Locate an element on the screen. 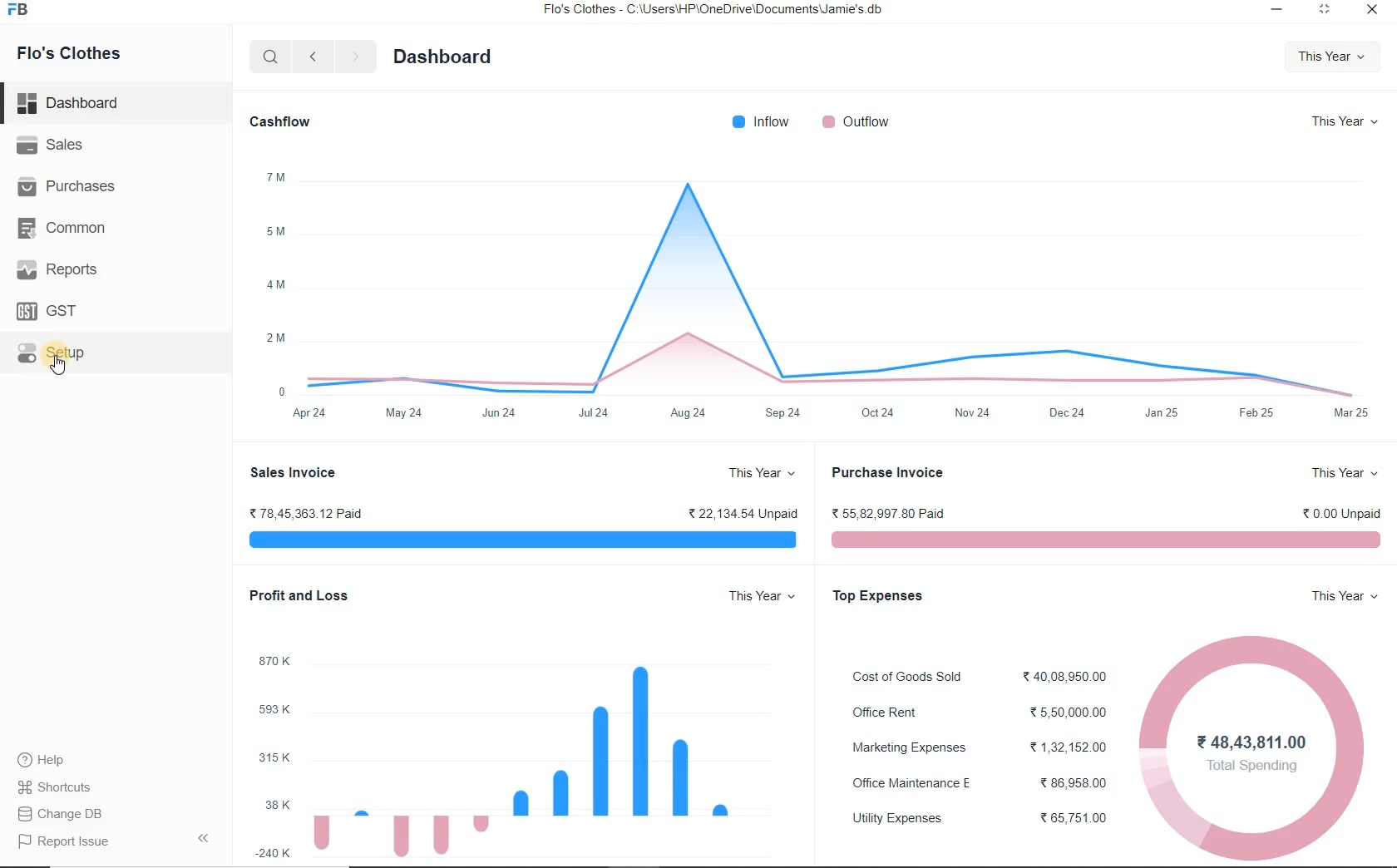 Image resolution: width=1397 pixels, height=868 pixels. Cursor is located at coordinates (57, 364).